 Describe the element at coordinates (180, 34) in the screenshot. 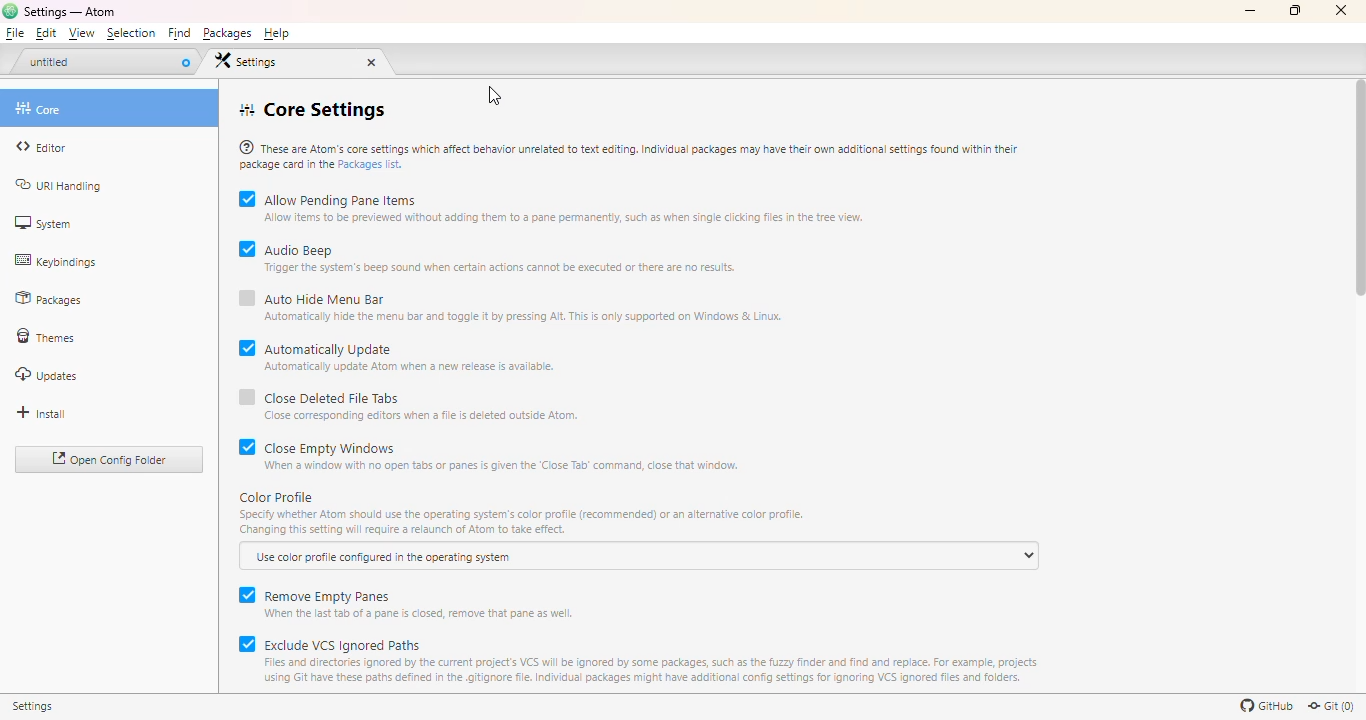

I see `Find` at that location.